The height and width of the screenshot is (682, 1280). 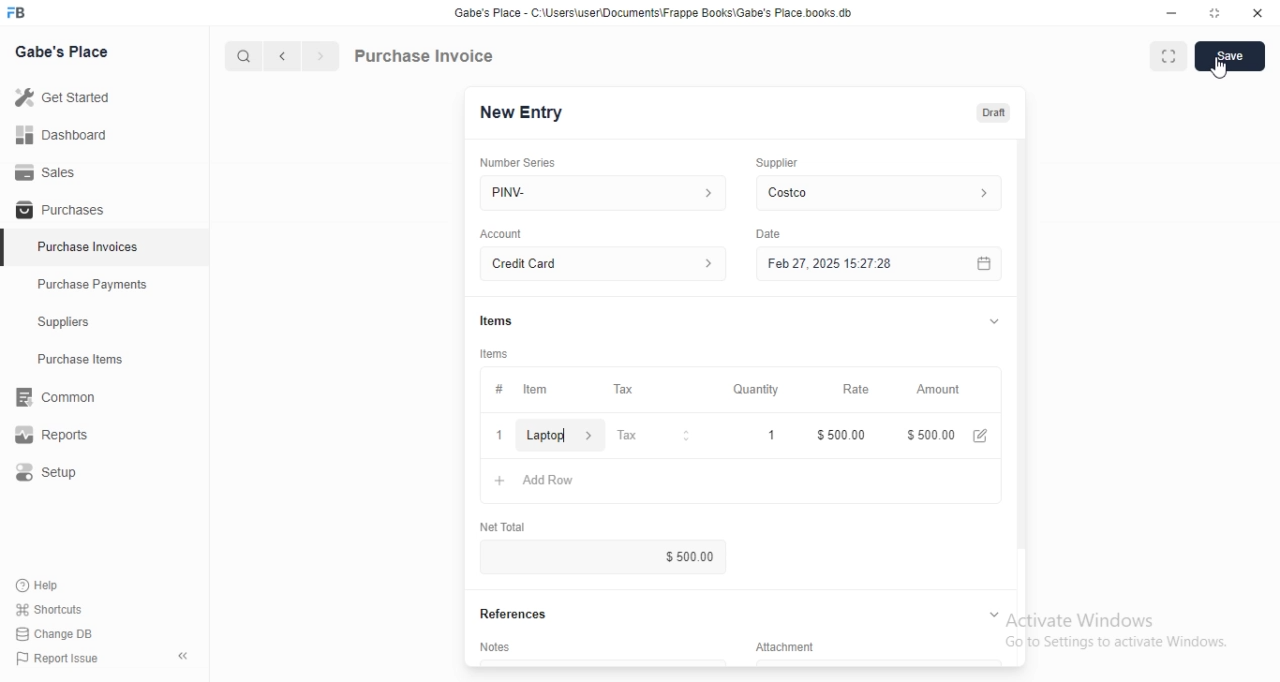 I want to click on Amount, so click(x=937, y=390).